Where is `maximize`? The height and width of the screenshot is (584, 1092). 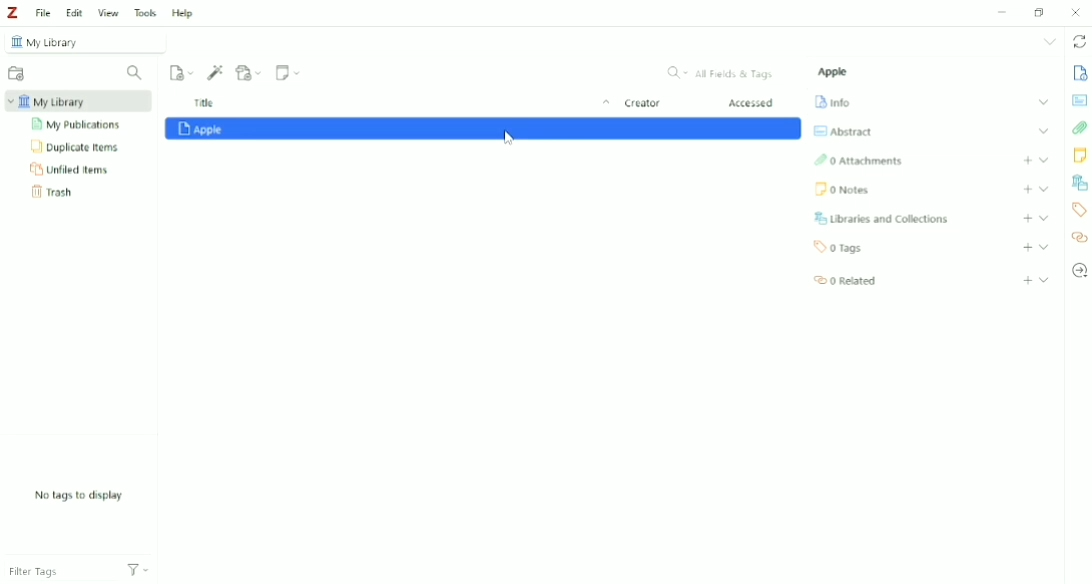
maximize is located at coordinates (1039, 12).